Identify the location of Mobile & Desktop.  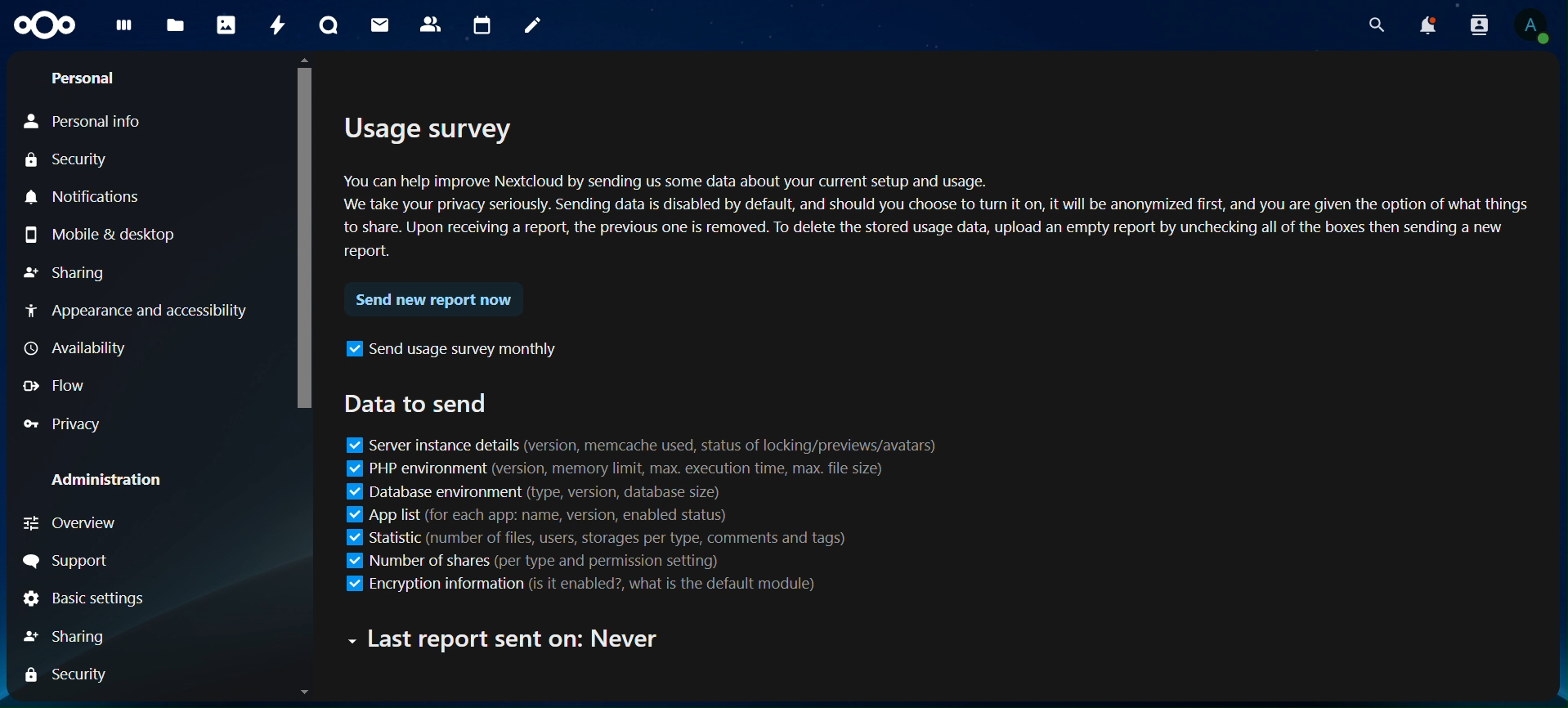
(96, 235).